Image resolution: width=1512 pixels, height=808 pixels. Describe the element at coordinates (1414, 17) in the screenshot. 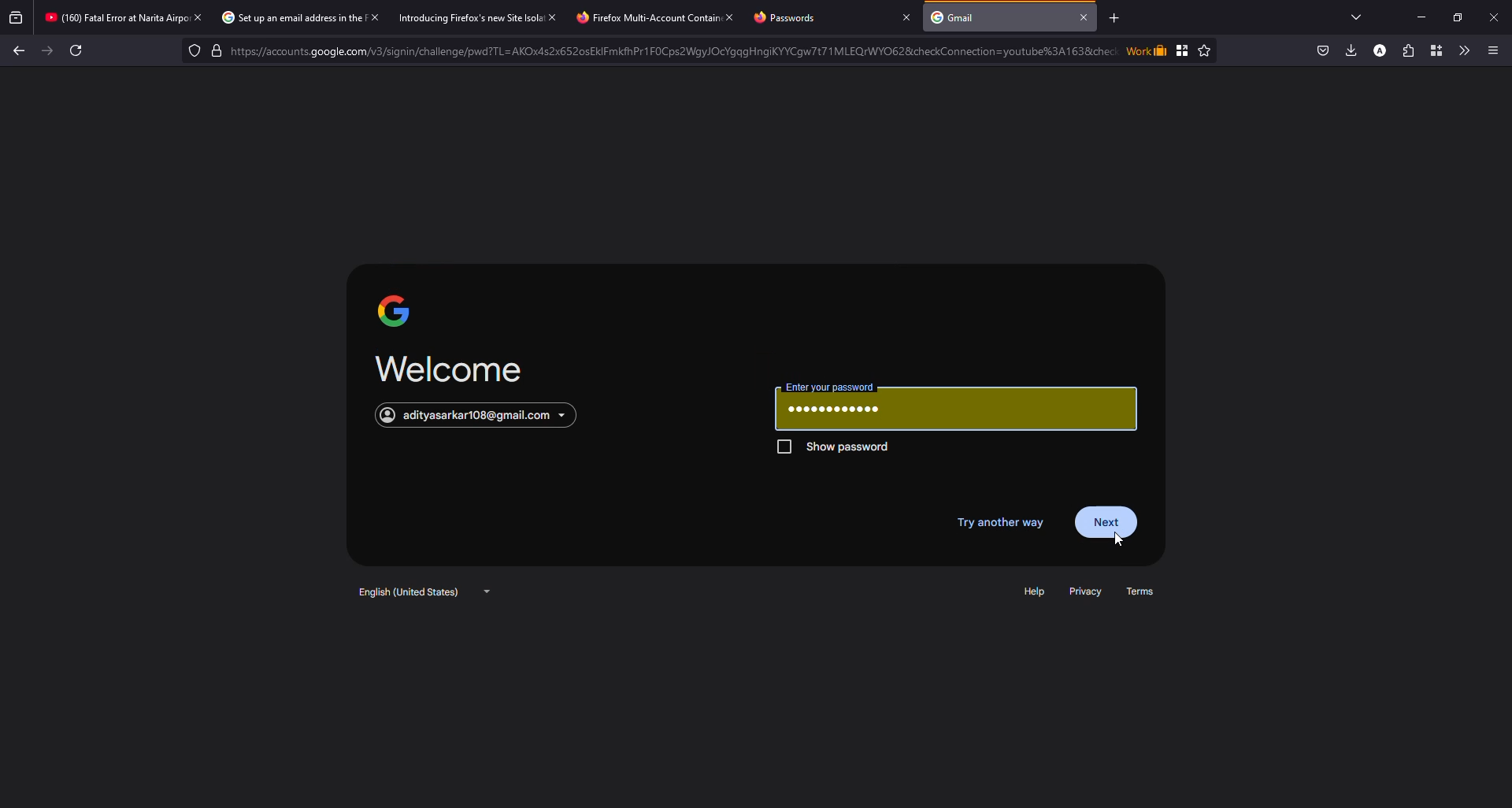

I see `minimize` at that location.